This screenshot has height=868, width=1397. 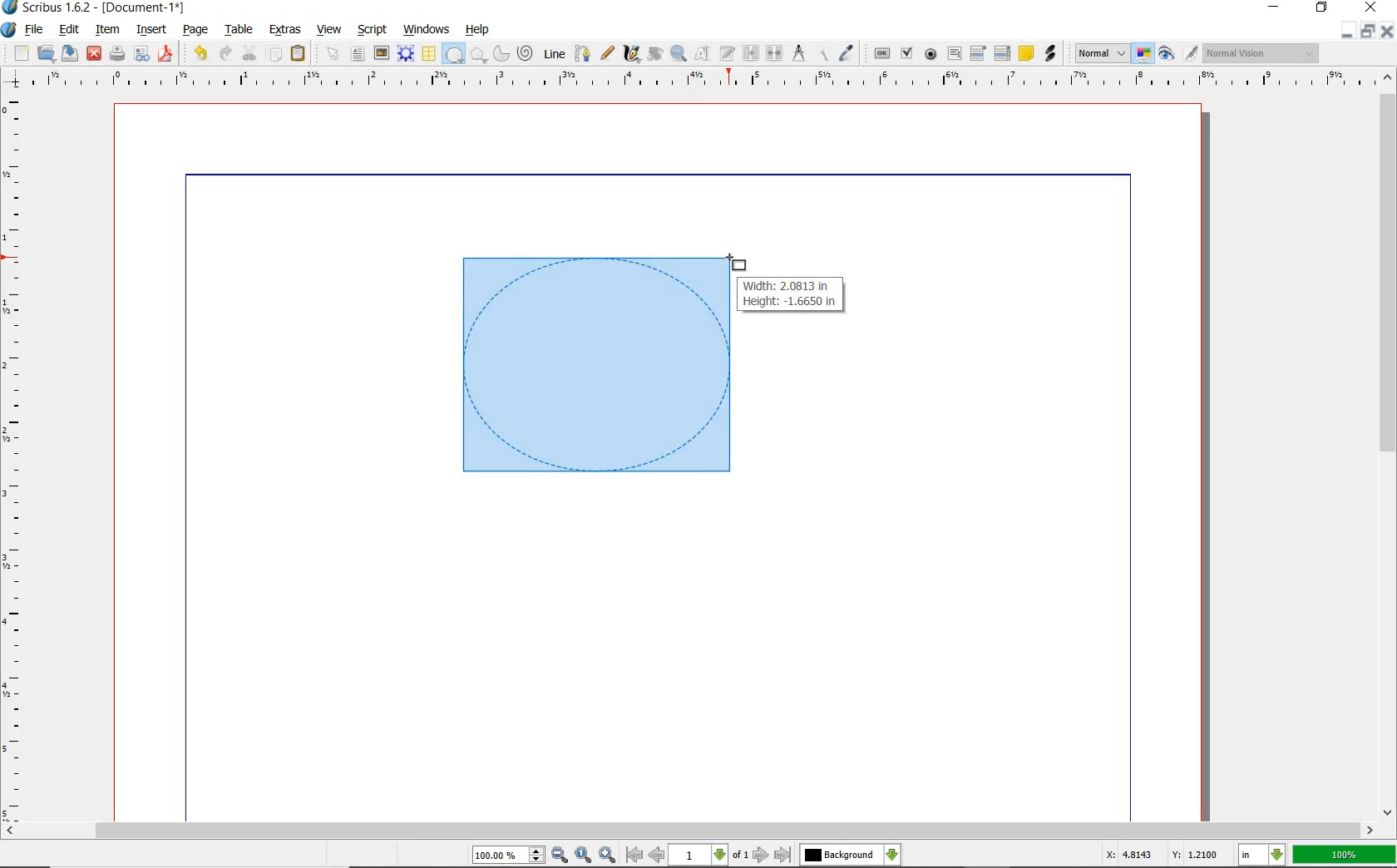 What do you see at coordinates (822, 52) in the screenshot?
I see `COPY ITEM PROPERTIES` at bounding box center [822, 52].